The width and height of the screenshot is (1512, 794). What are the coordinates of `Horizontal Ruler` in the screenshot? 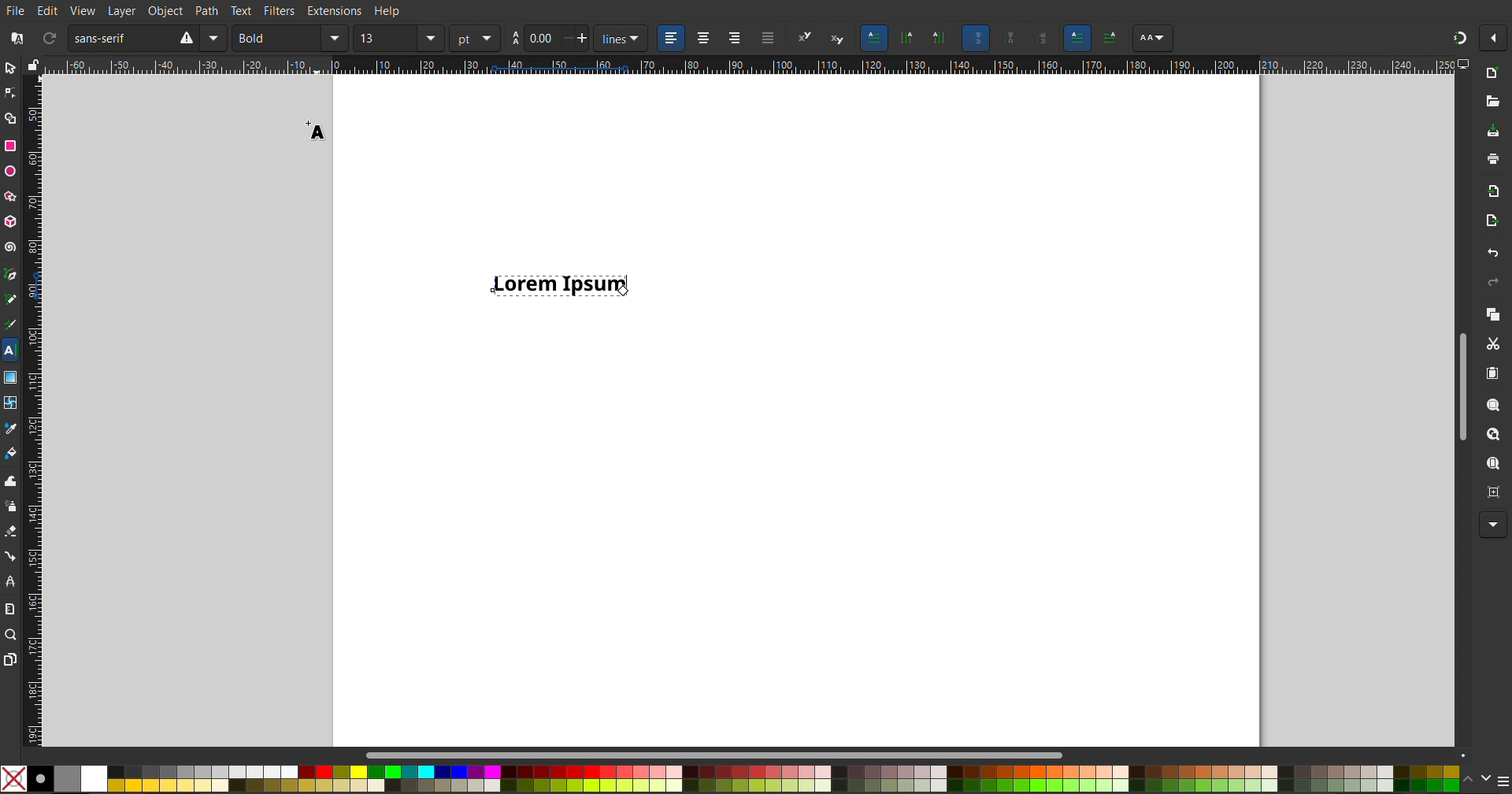 It's located at (743, 65).